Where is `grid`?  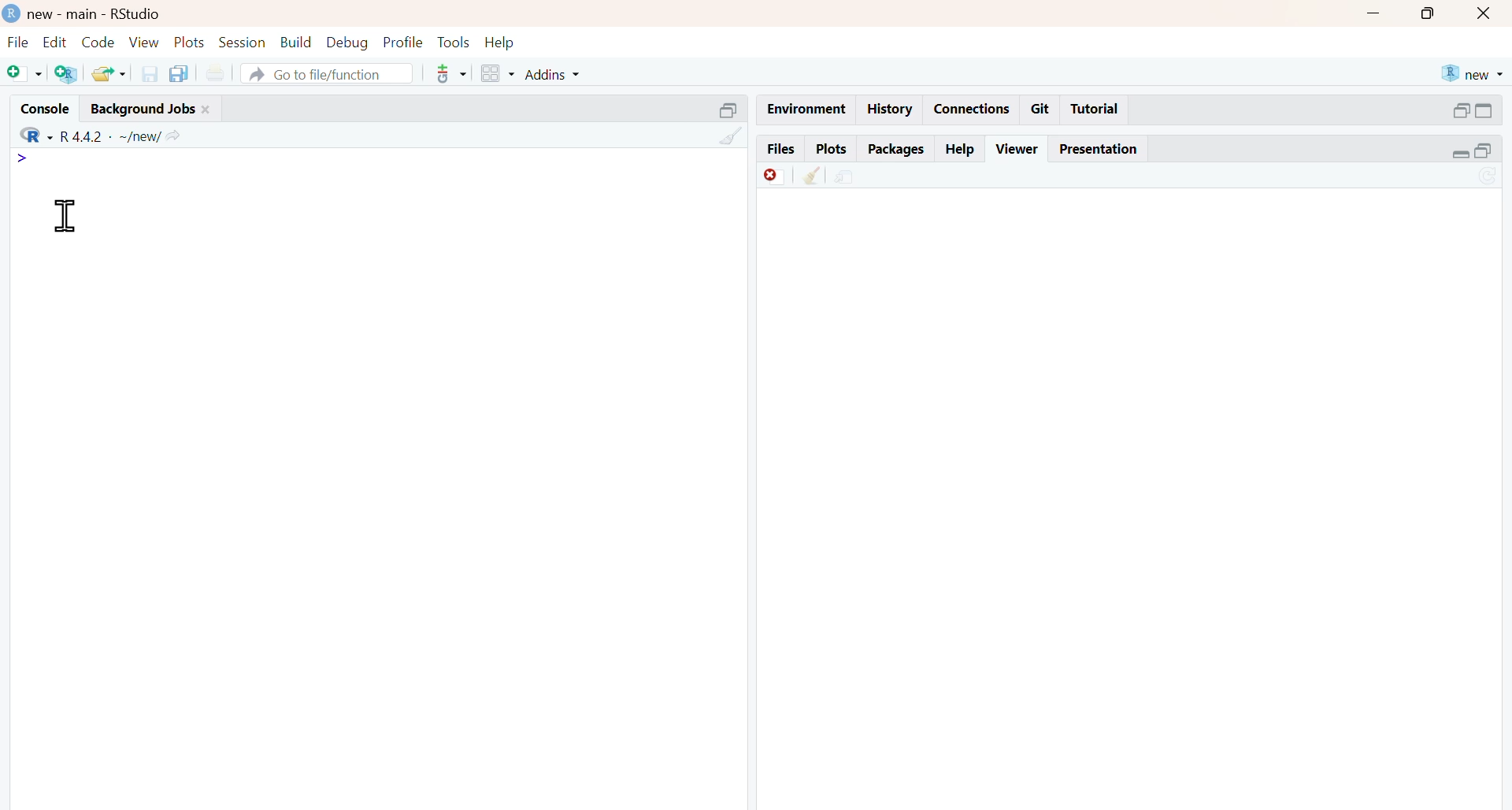
grid is located at coordinates (499, 73).